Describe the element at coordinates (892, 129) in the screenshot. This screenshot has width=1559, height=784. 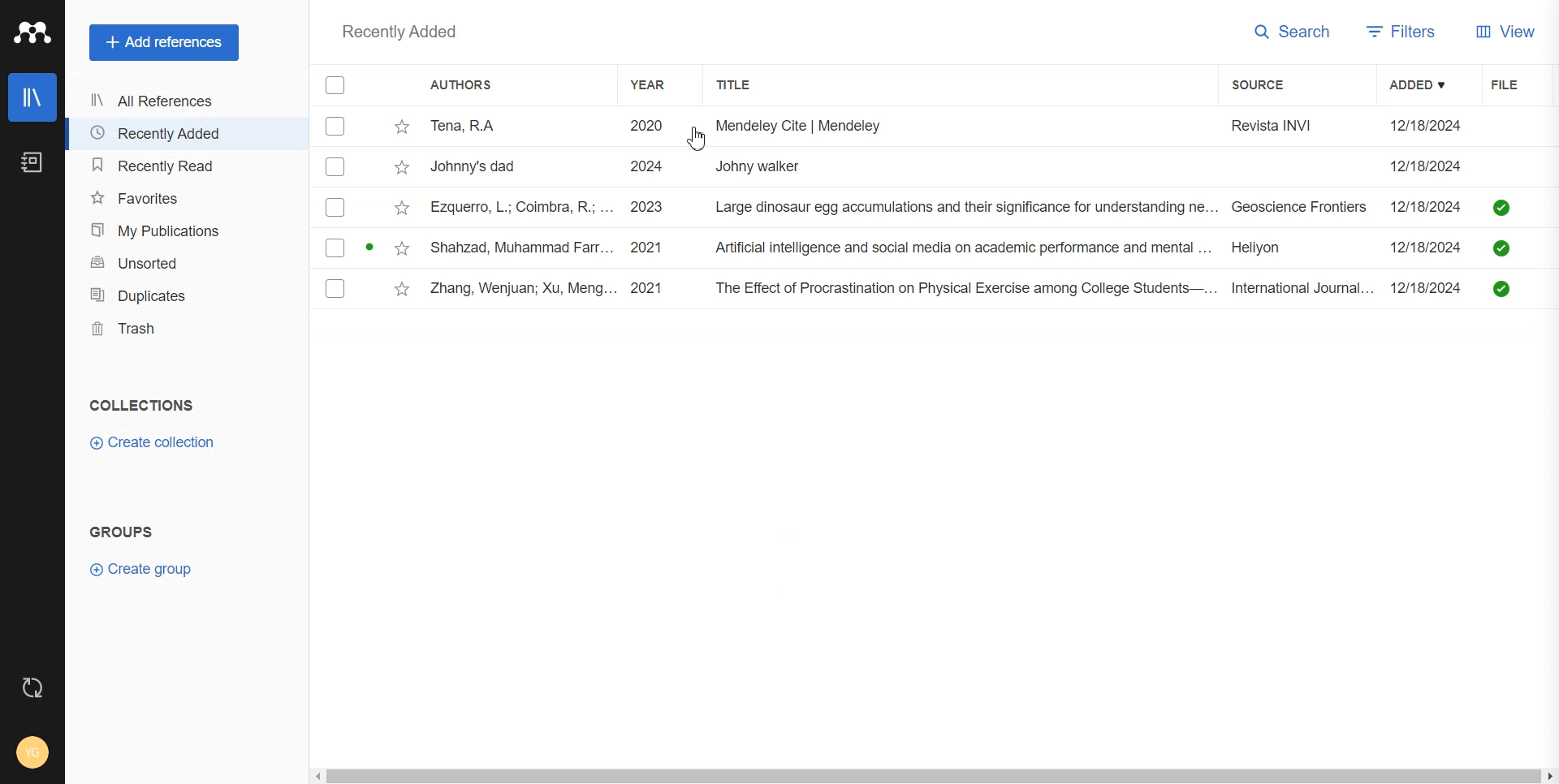
I see `Tena, RA 2020 i. Mendeley Cite | Mendeley Revista INVI` at that location.